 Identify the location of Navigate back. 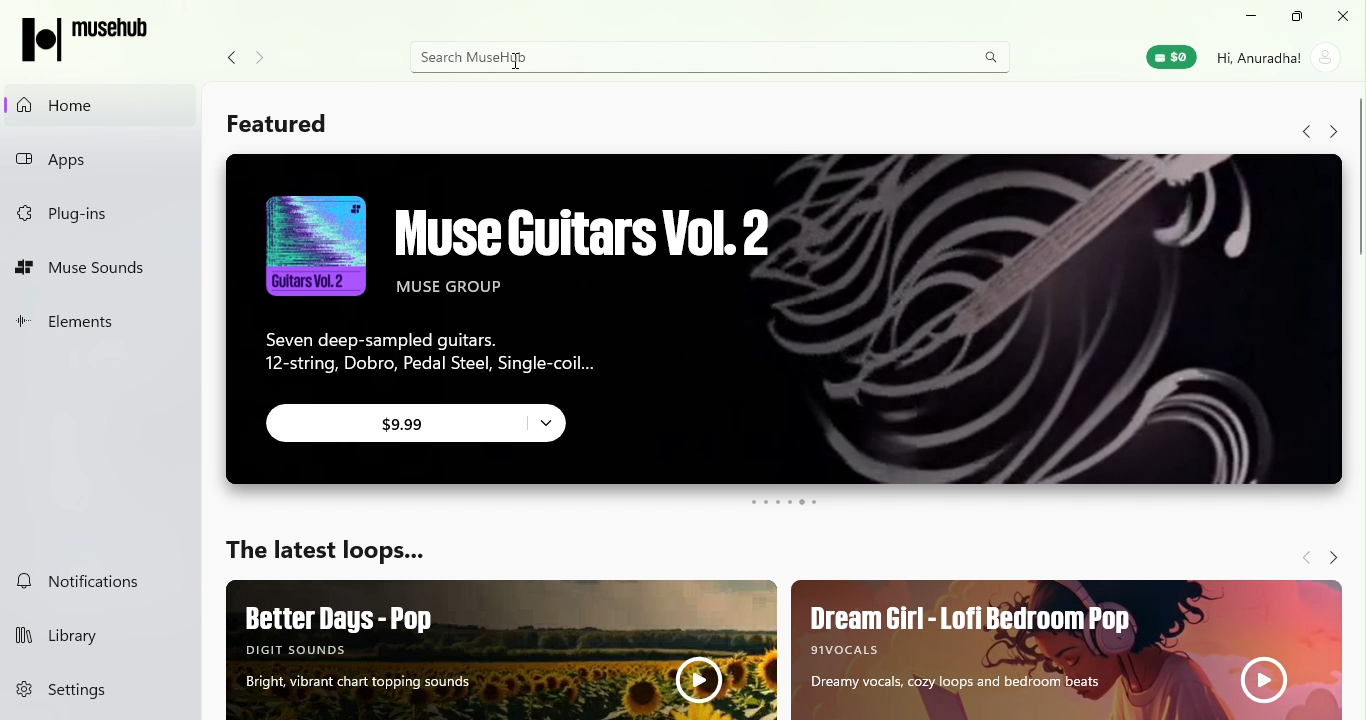
(227, 58).